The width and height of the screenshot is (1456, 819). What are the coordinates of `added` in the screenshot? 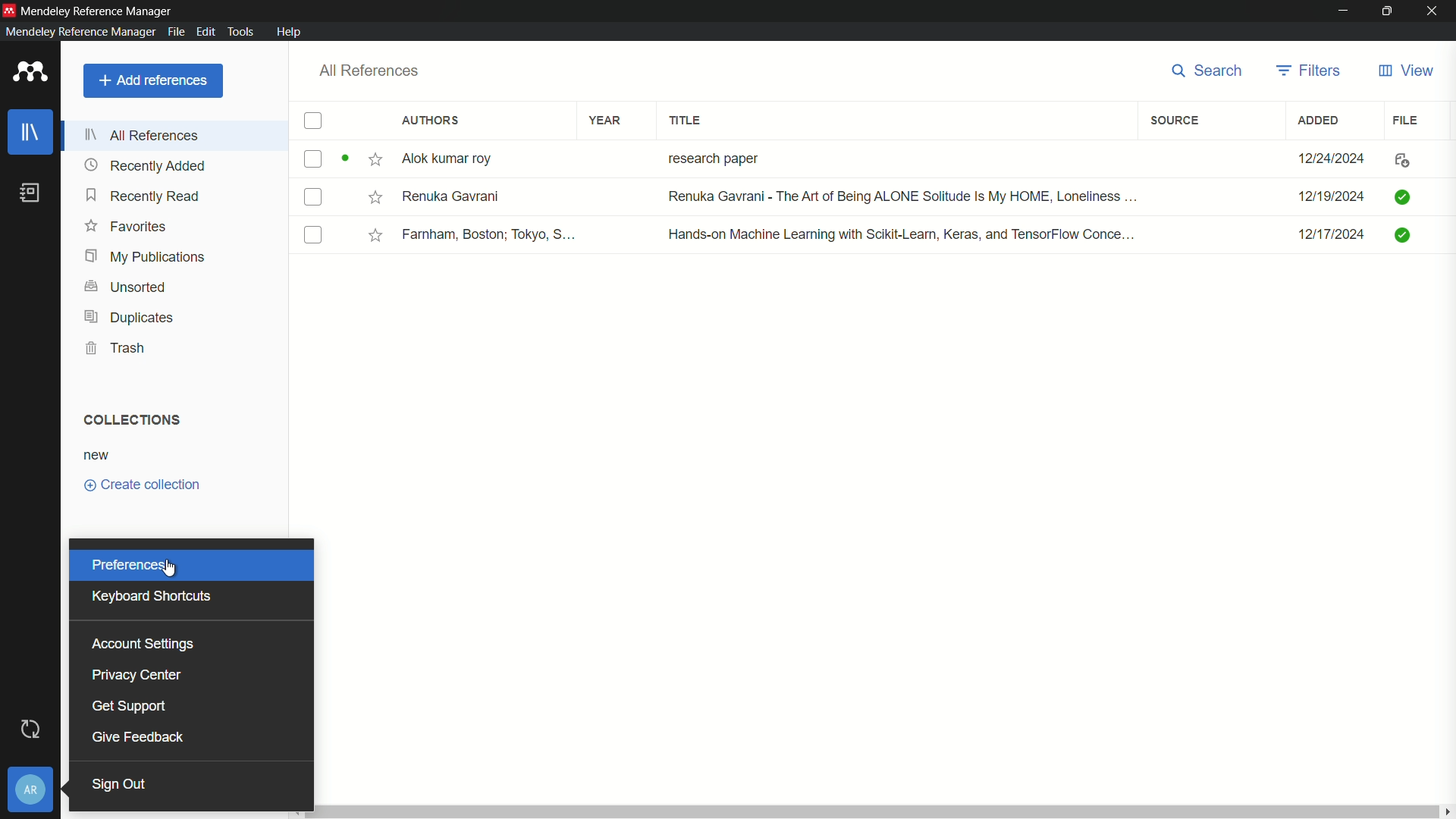 It's located at (1316, 120).